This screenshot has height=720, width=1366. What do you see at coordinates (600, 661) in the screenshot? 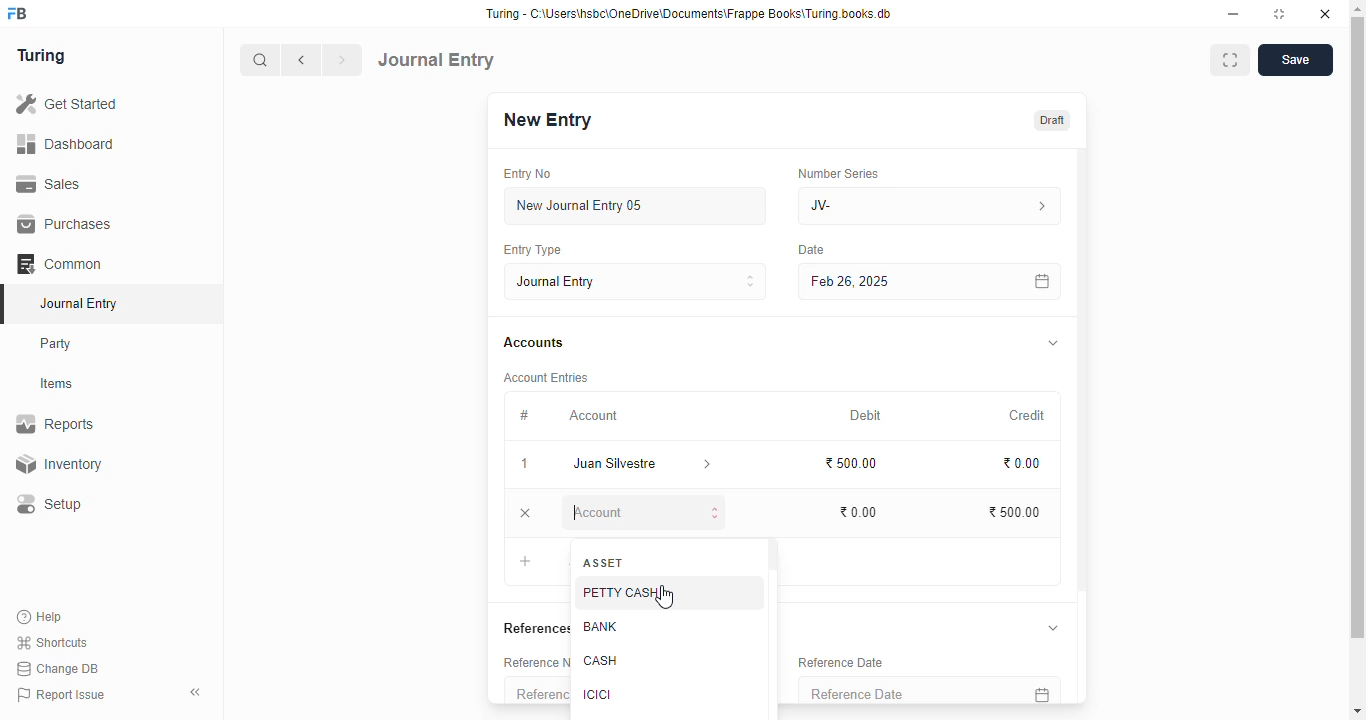
I see `cash` at bounding box center [600, 661].